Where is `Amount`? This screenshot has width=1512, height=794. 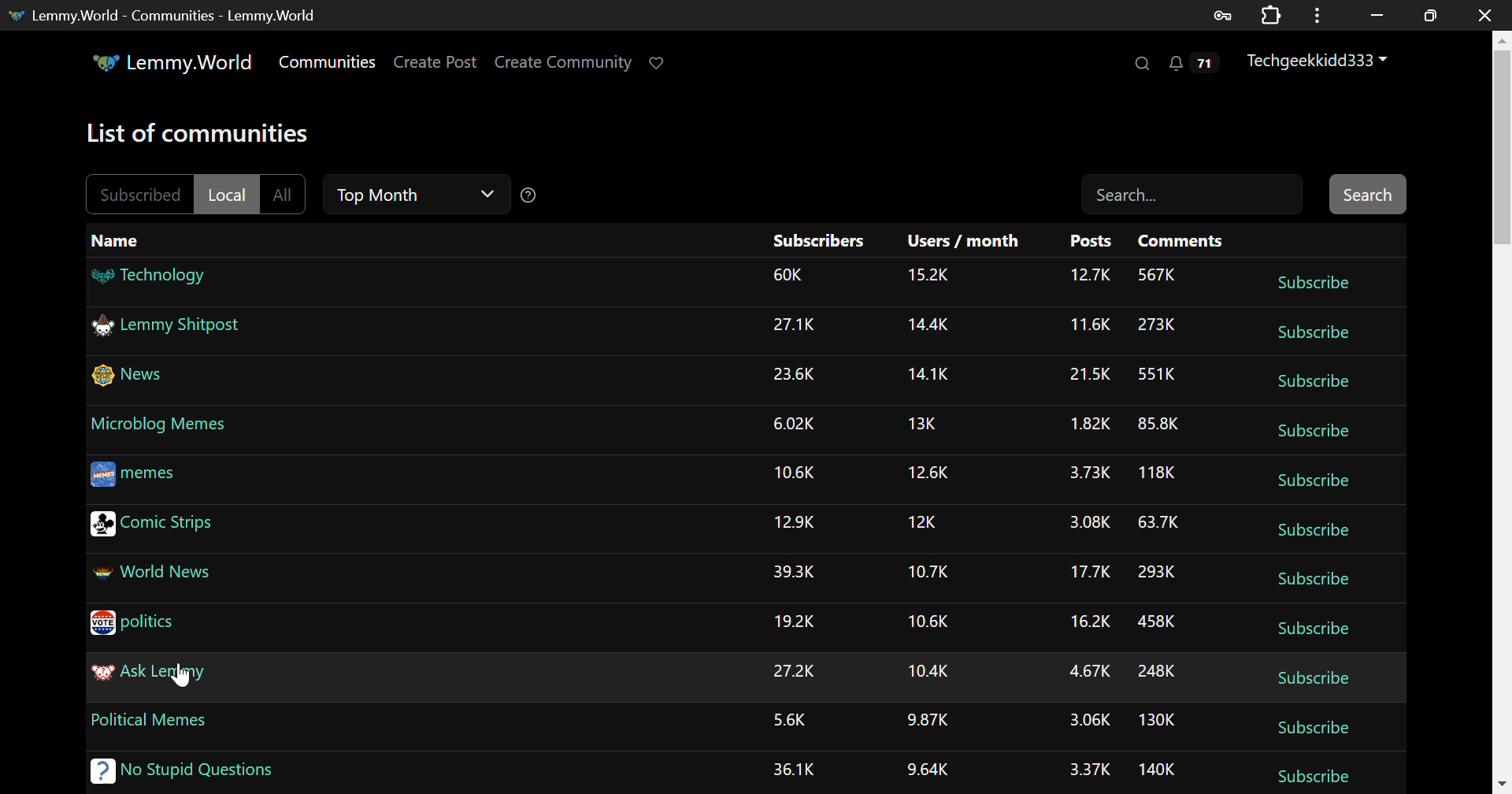 Amount is located at coordinates (1091, 671).